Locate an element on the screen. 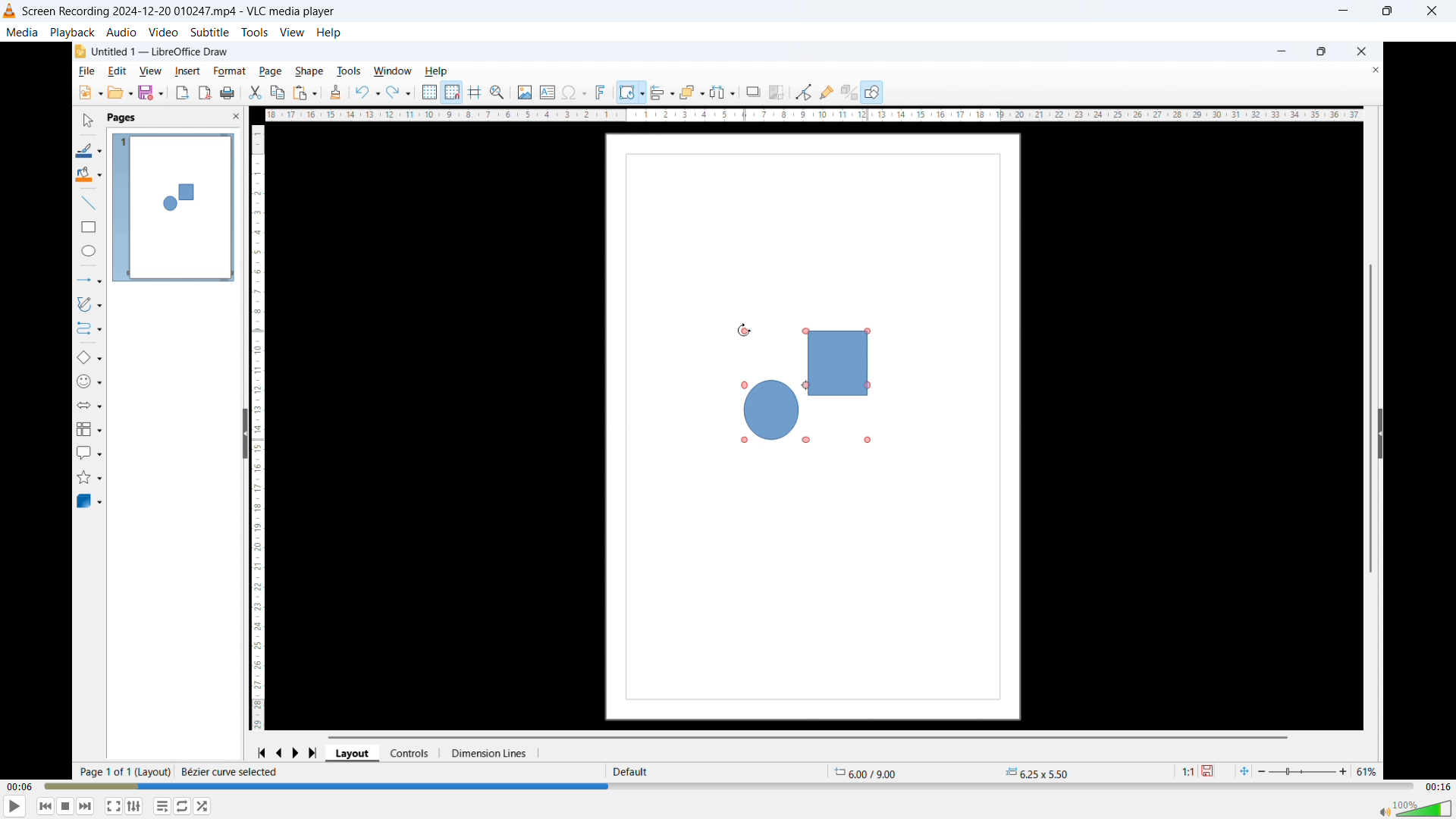 This screenshot has height=819, width=1456. Forward or next media  is located at coordinates (85, 807).